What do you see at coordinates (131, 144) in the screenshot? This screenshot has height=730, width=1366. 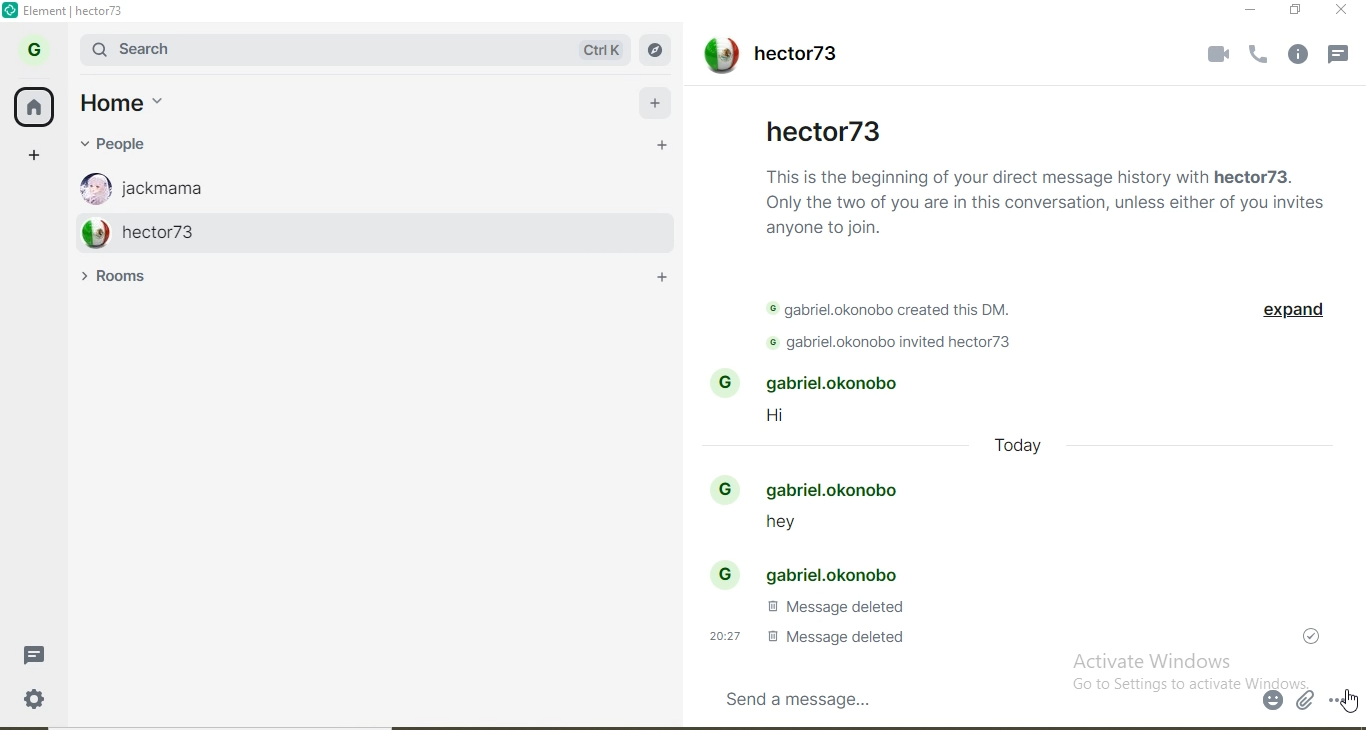 I see `people` at bounding box center [131, 144].